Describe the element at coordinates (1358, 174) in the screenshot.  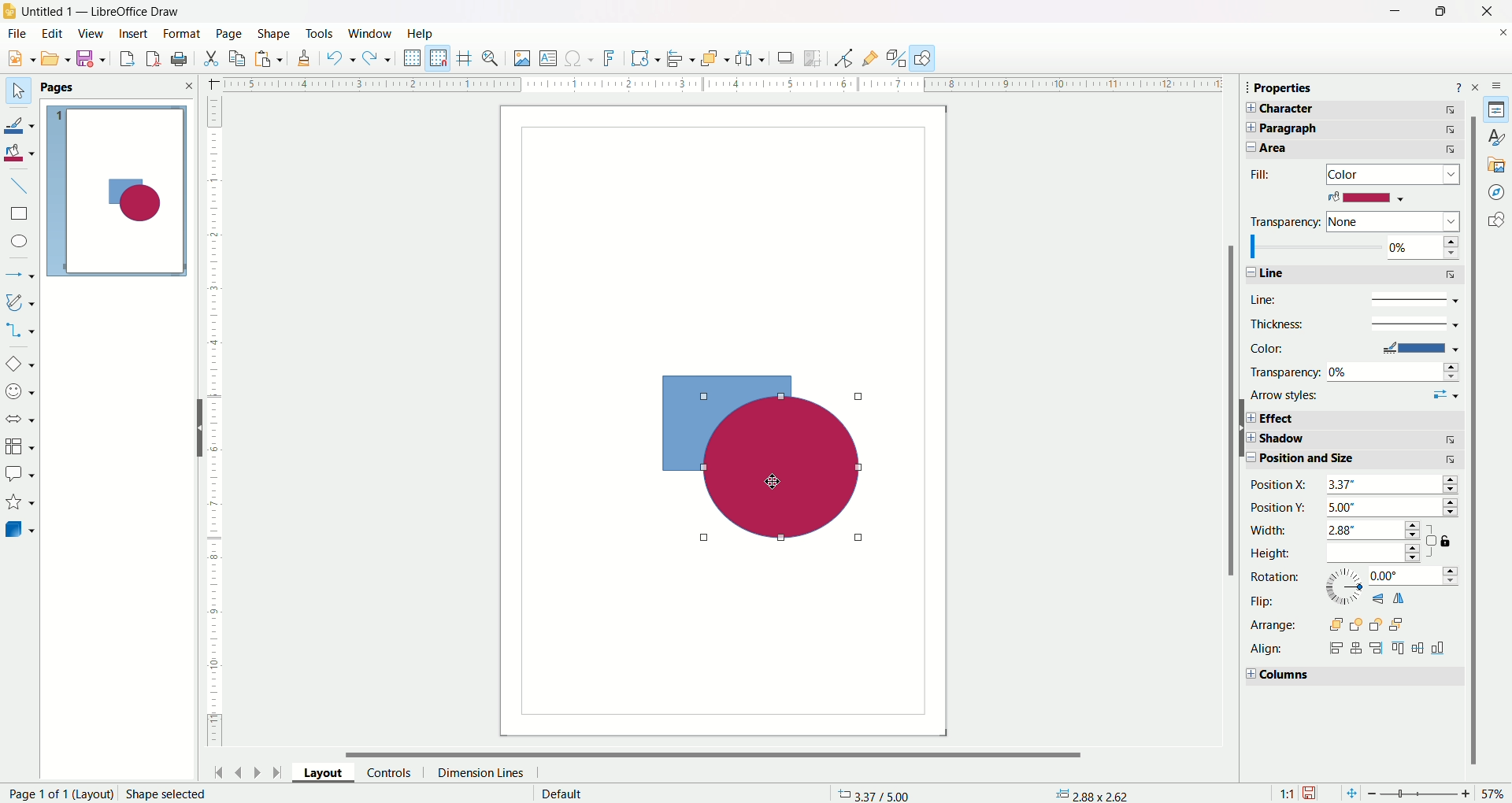
I see `fill` at that location.